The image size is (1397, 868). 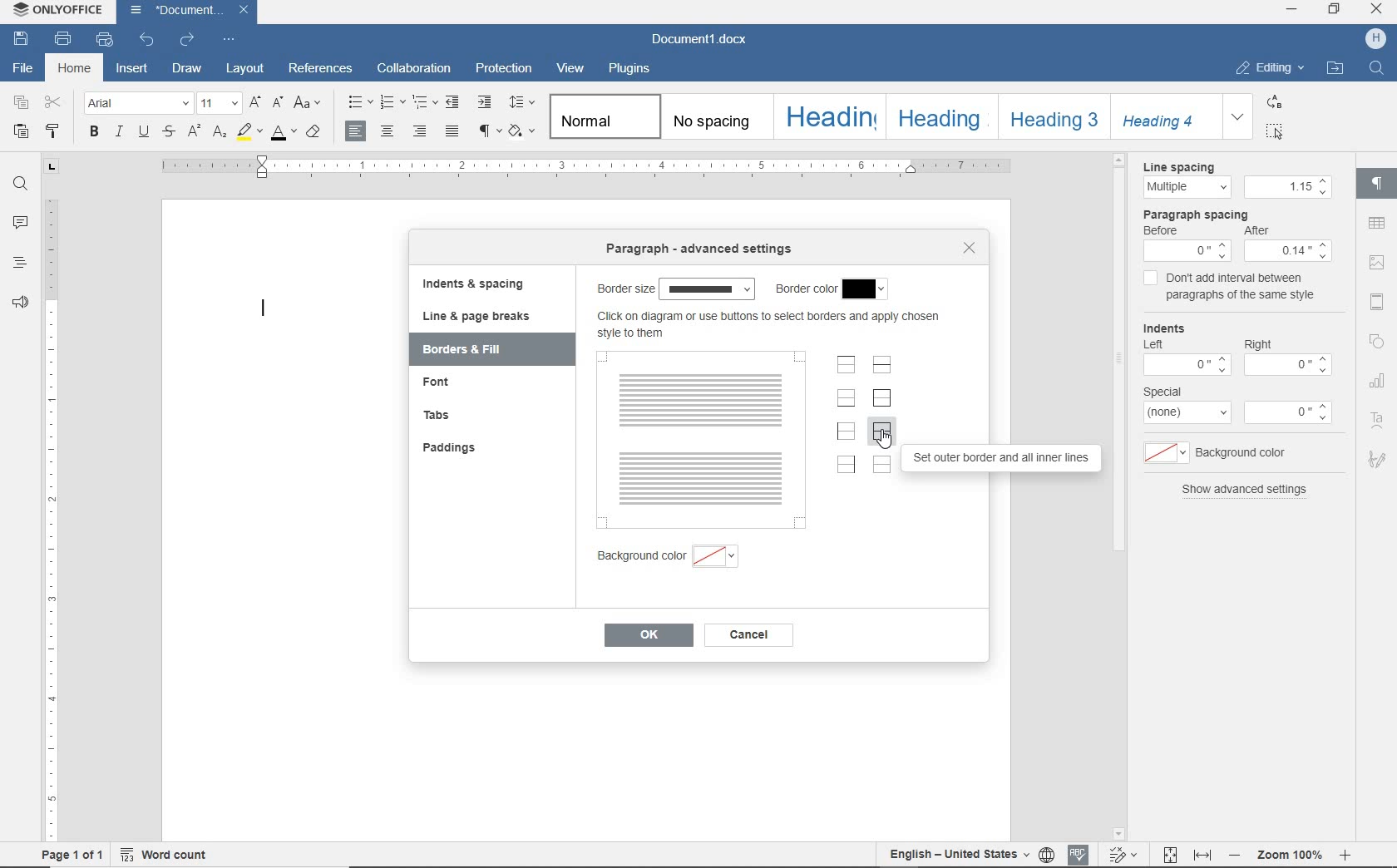 I want to click on draw, so click(x=189, y=69).